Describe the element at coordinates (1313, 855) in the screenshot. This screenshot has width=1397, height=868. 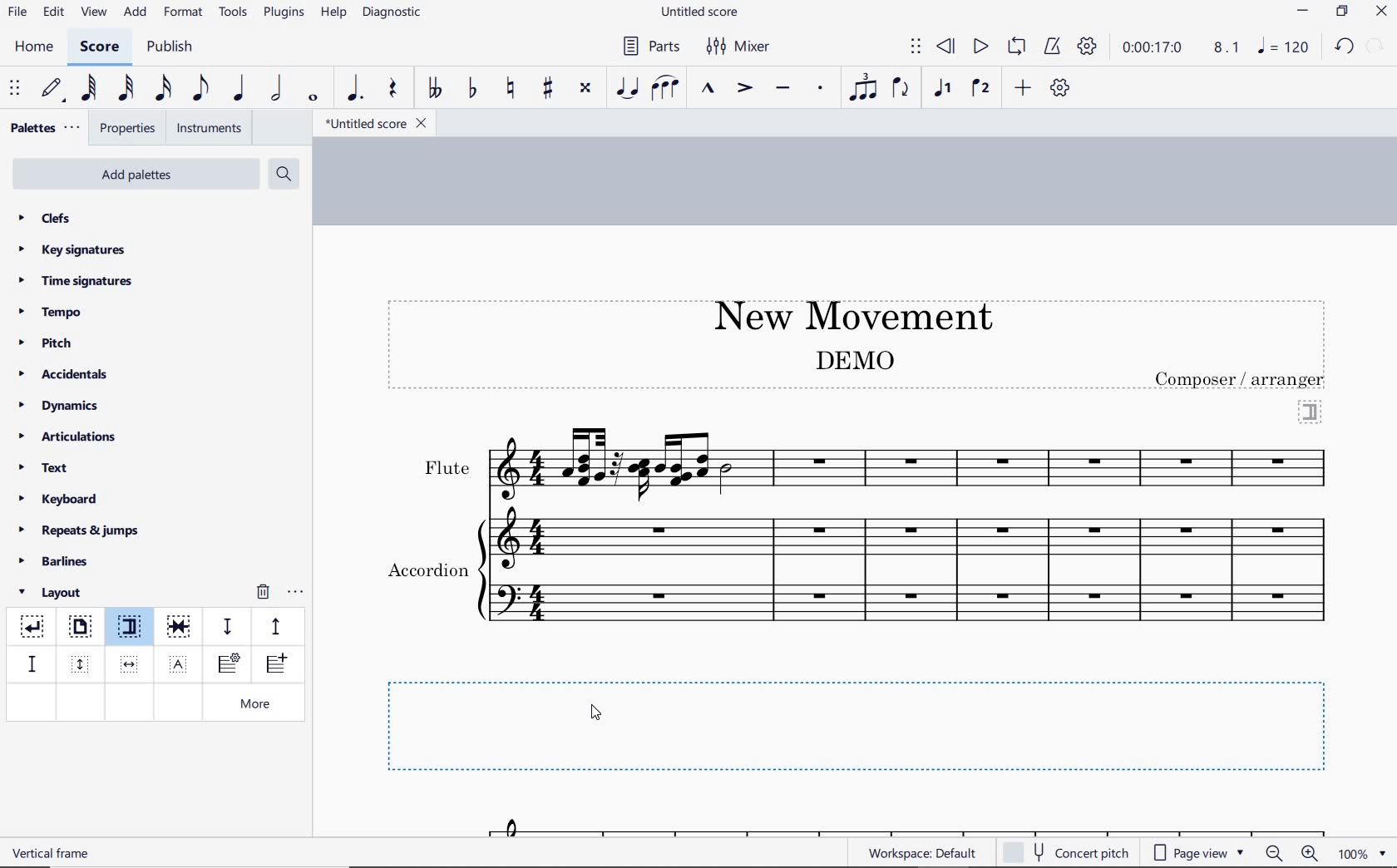
I see `zoom in` at that location.